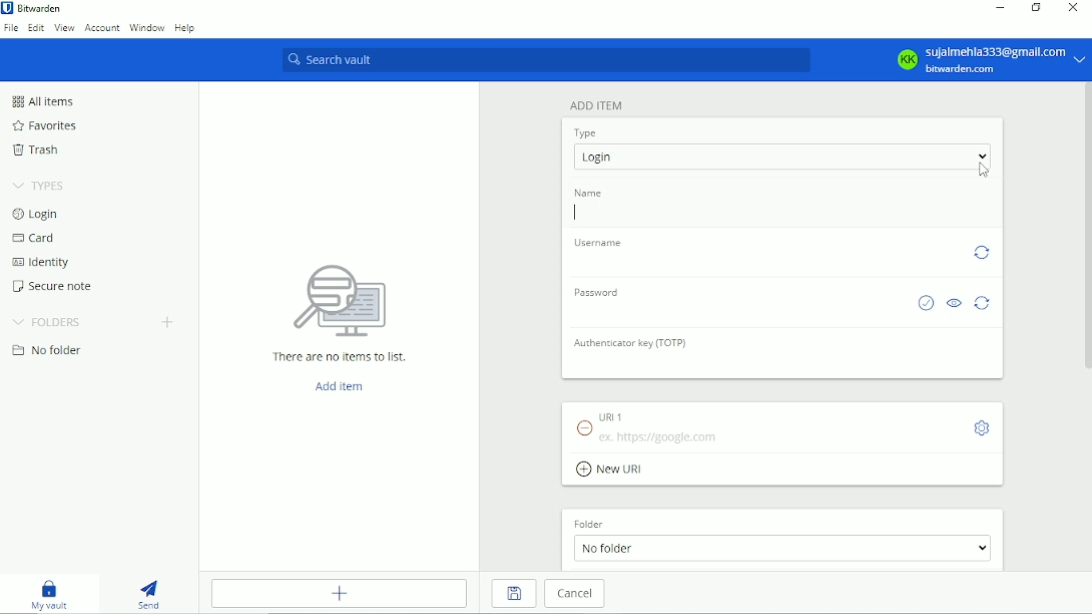 The image size is (1092, 614). I want to click on Folder, so click(608, 522).